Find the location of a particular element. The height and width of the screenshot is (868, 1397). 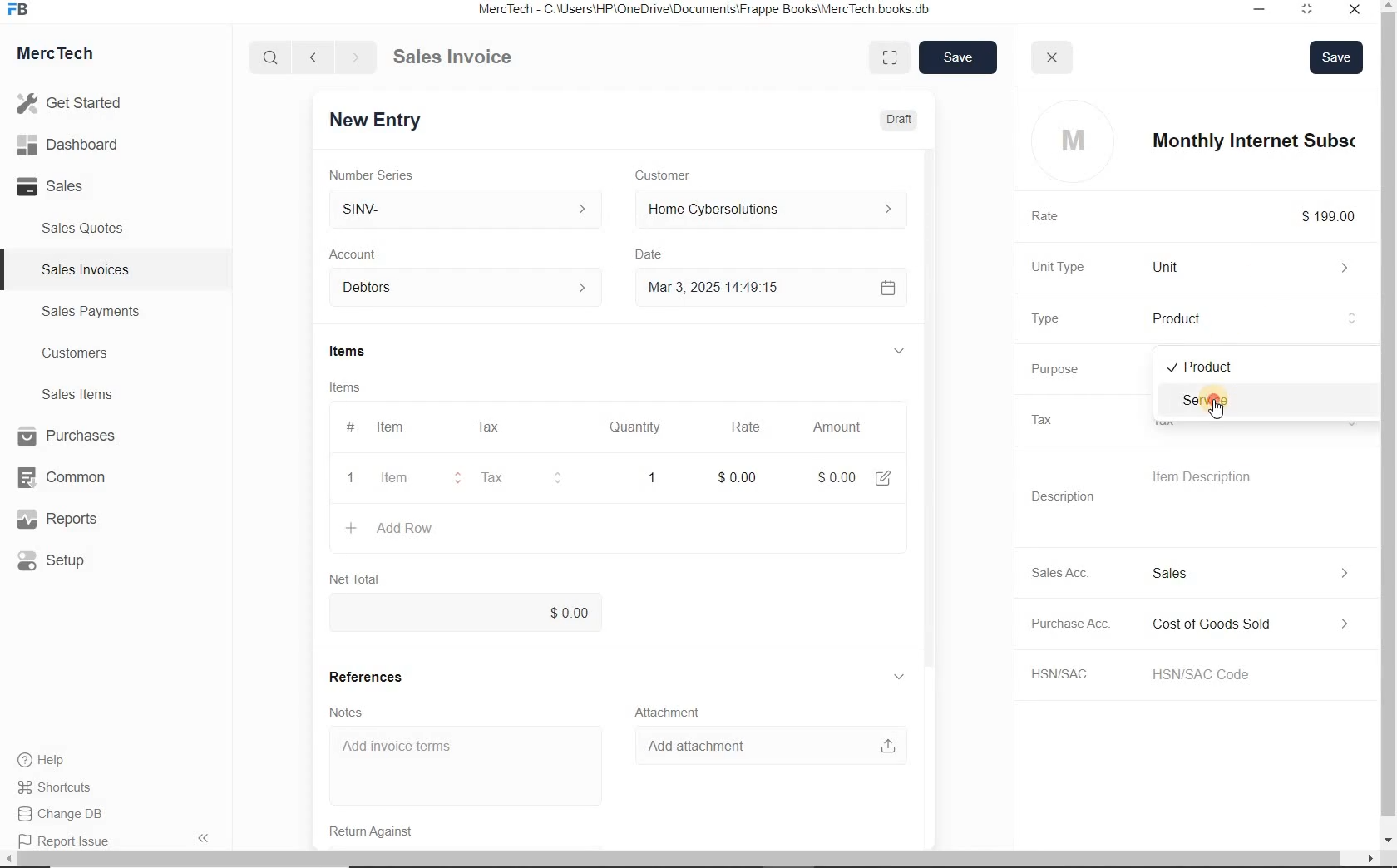

Tax is located at coordinates (1058, 419).